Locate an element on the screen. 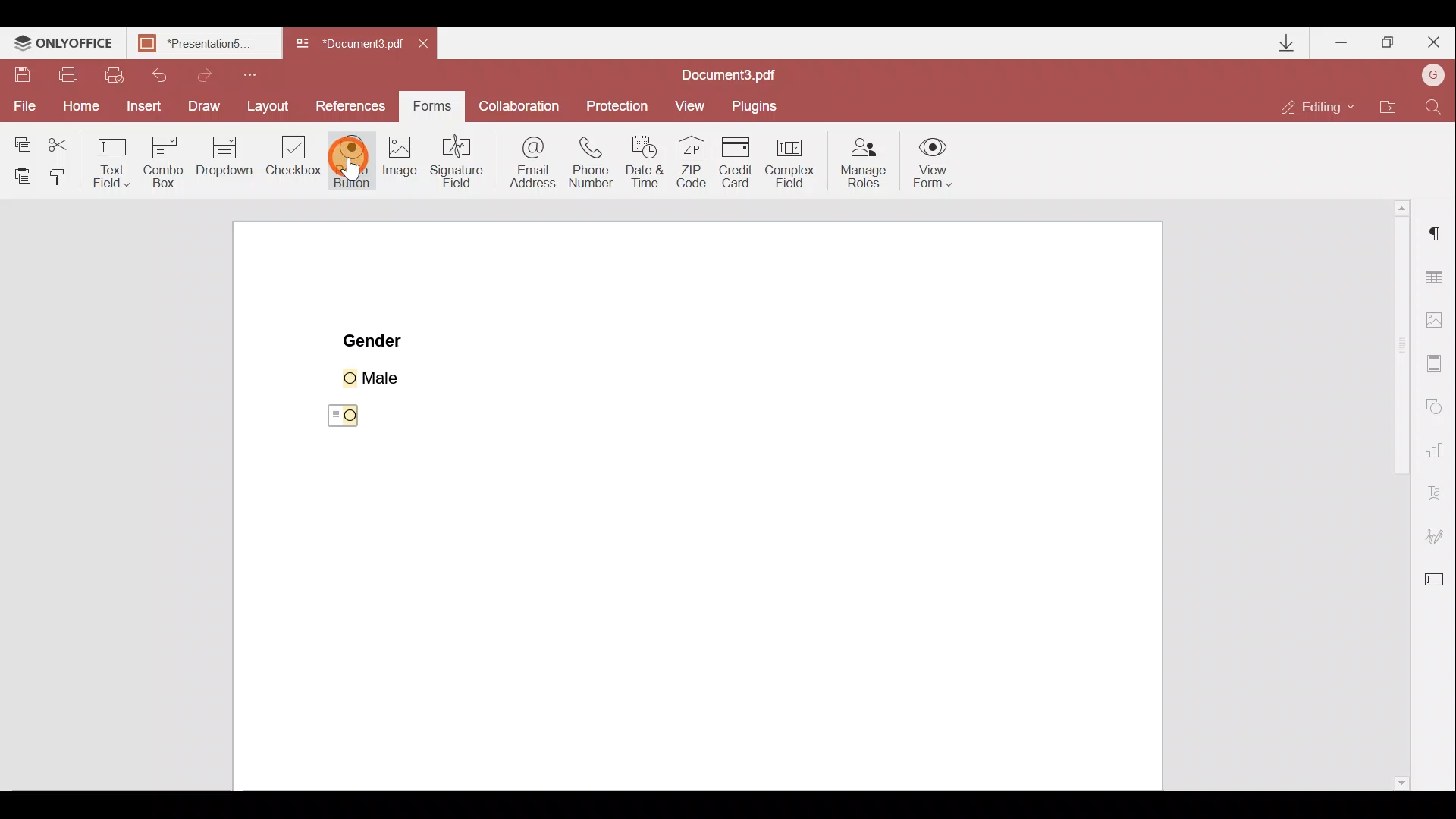  Insert is located at coordinates (142, 108).